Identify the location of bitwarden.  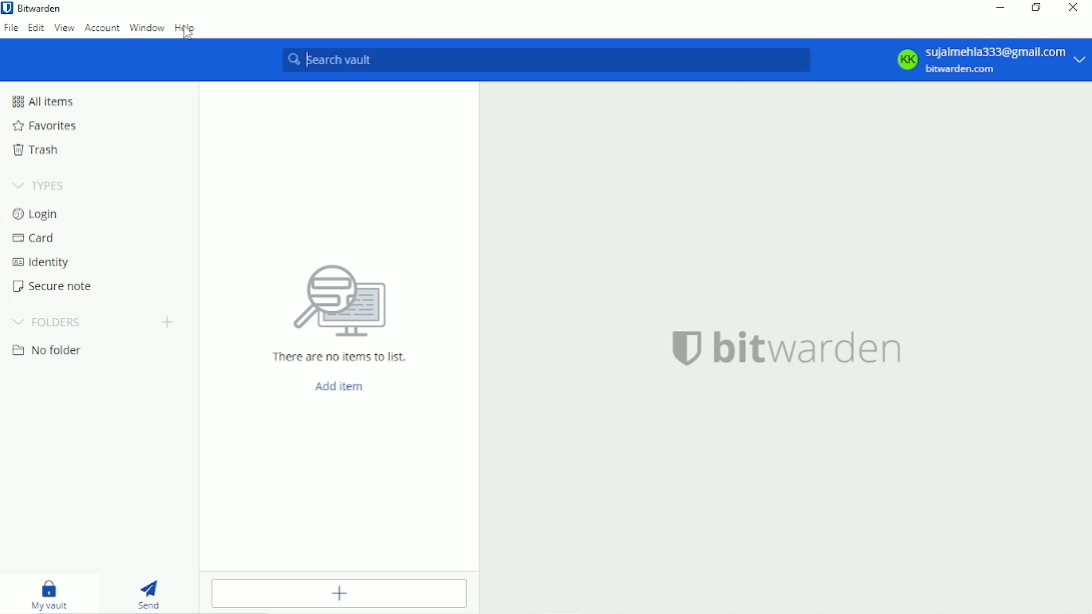
(812, 349).